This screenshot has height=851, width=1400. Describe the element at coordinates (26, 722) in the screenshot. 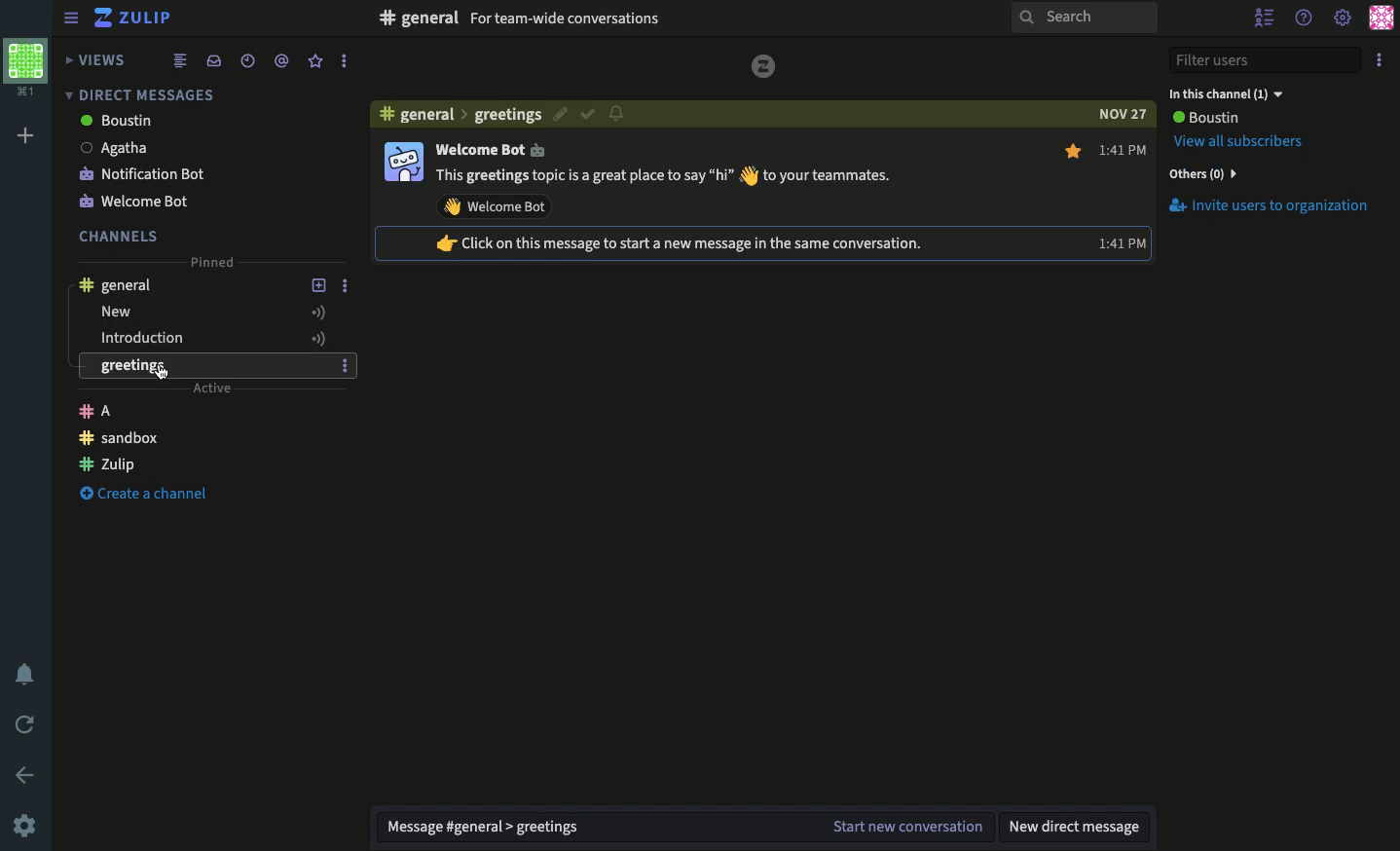

I see `Refresh` at that location.